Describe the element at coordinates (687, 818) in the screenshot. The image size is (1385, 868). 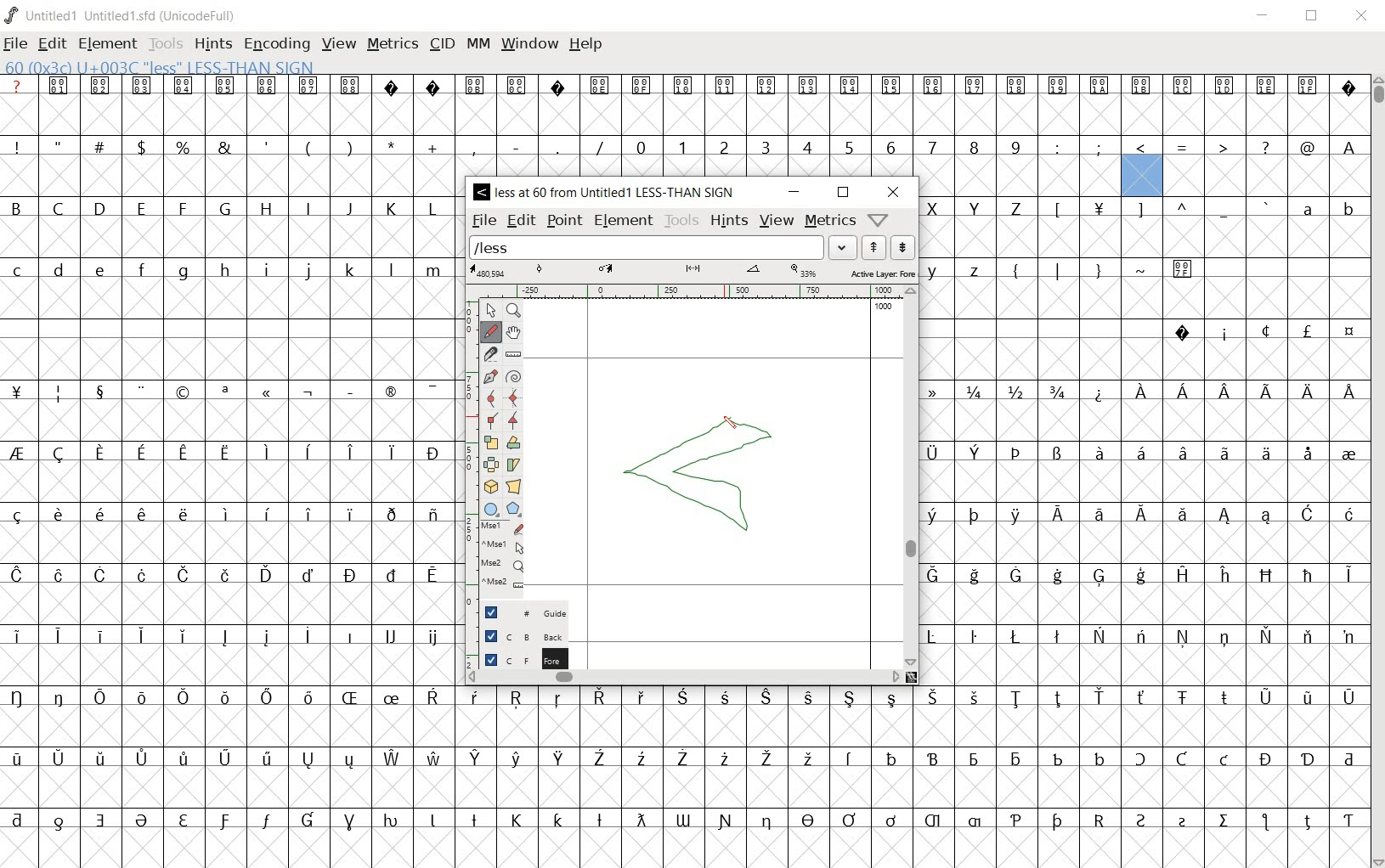
I see `special letters` at that location.